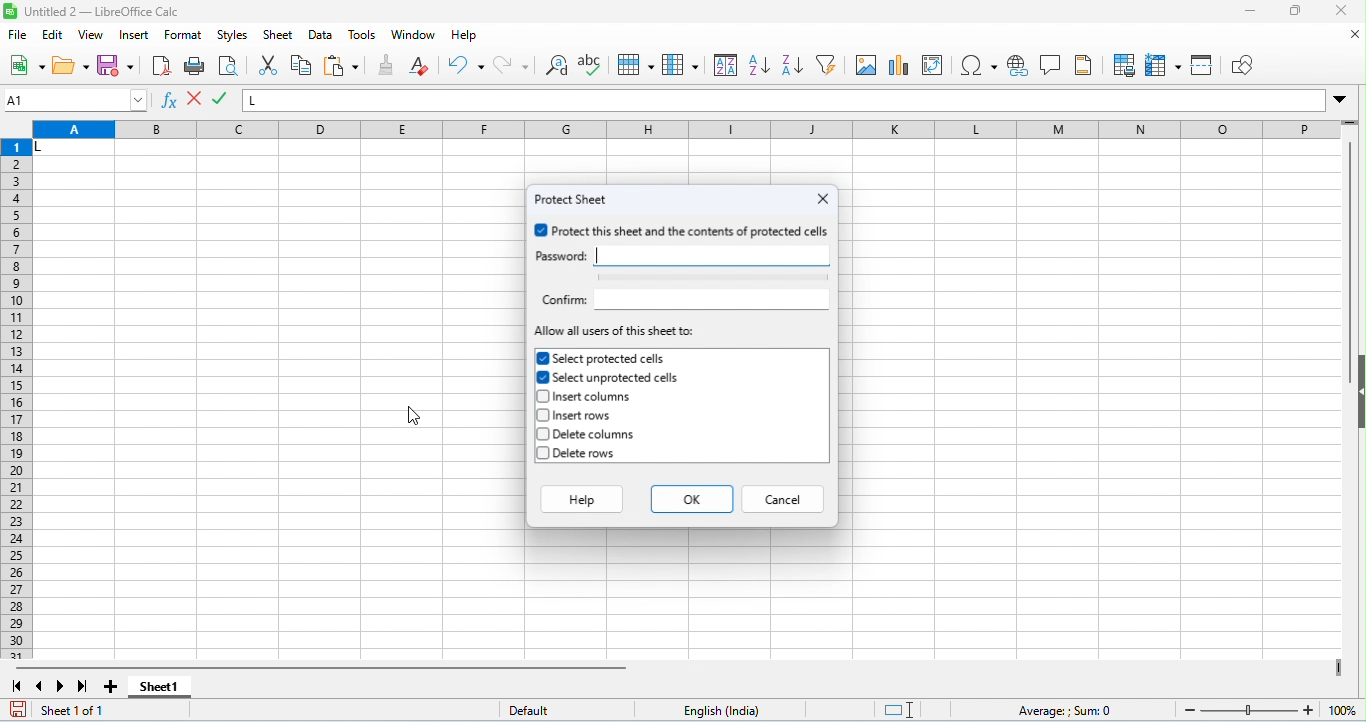 The image size is (1366, 722). Describe the element at coordinates (364, 35) in the screenshot. I see `tools` at that location.